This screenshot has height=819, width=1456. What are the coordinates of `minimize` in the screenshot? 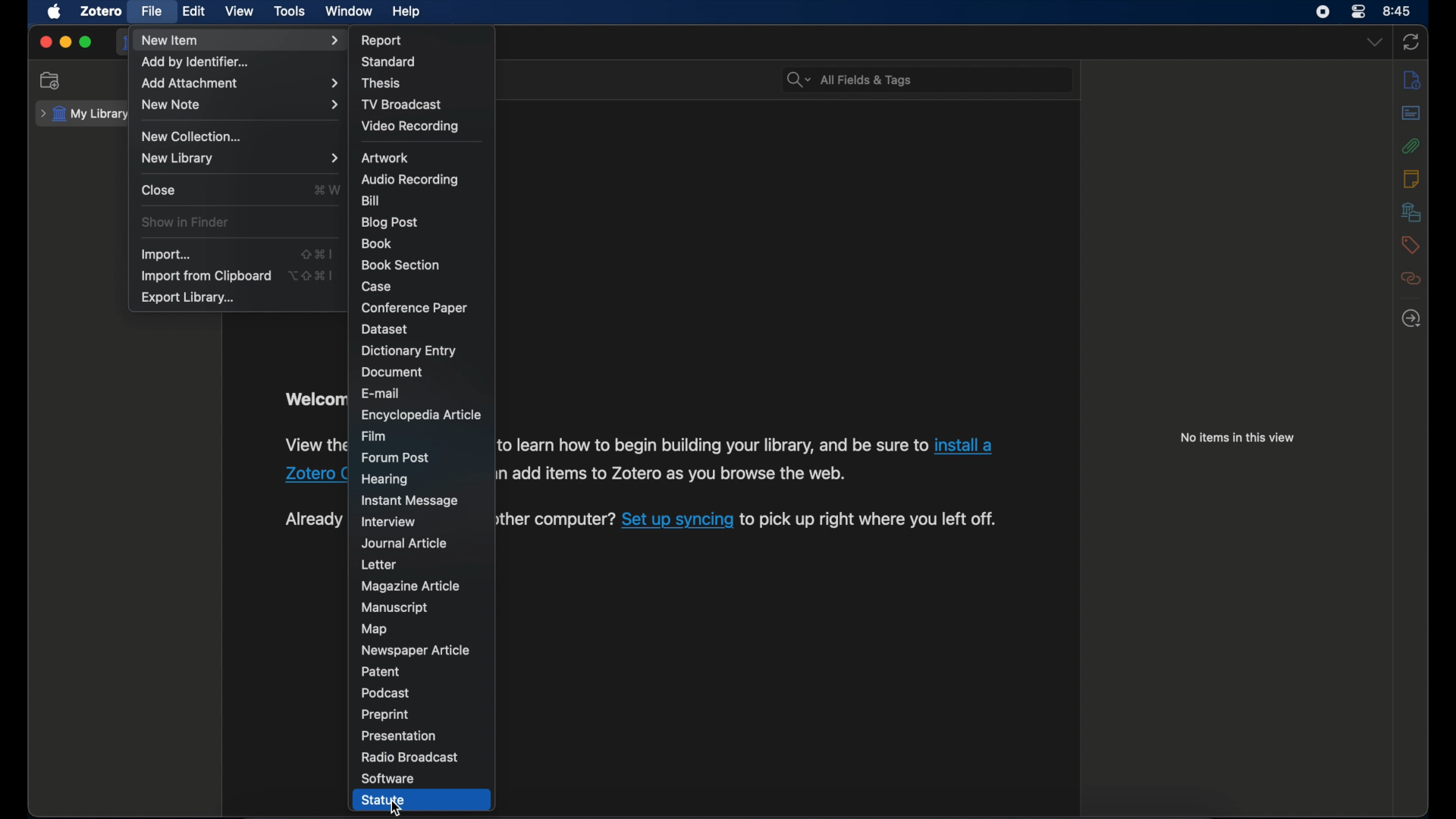 It's located at (65, 42).